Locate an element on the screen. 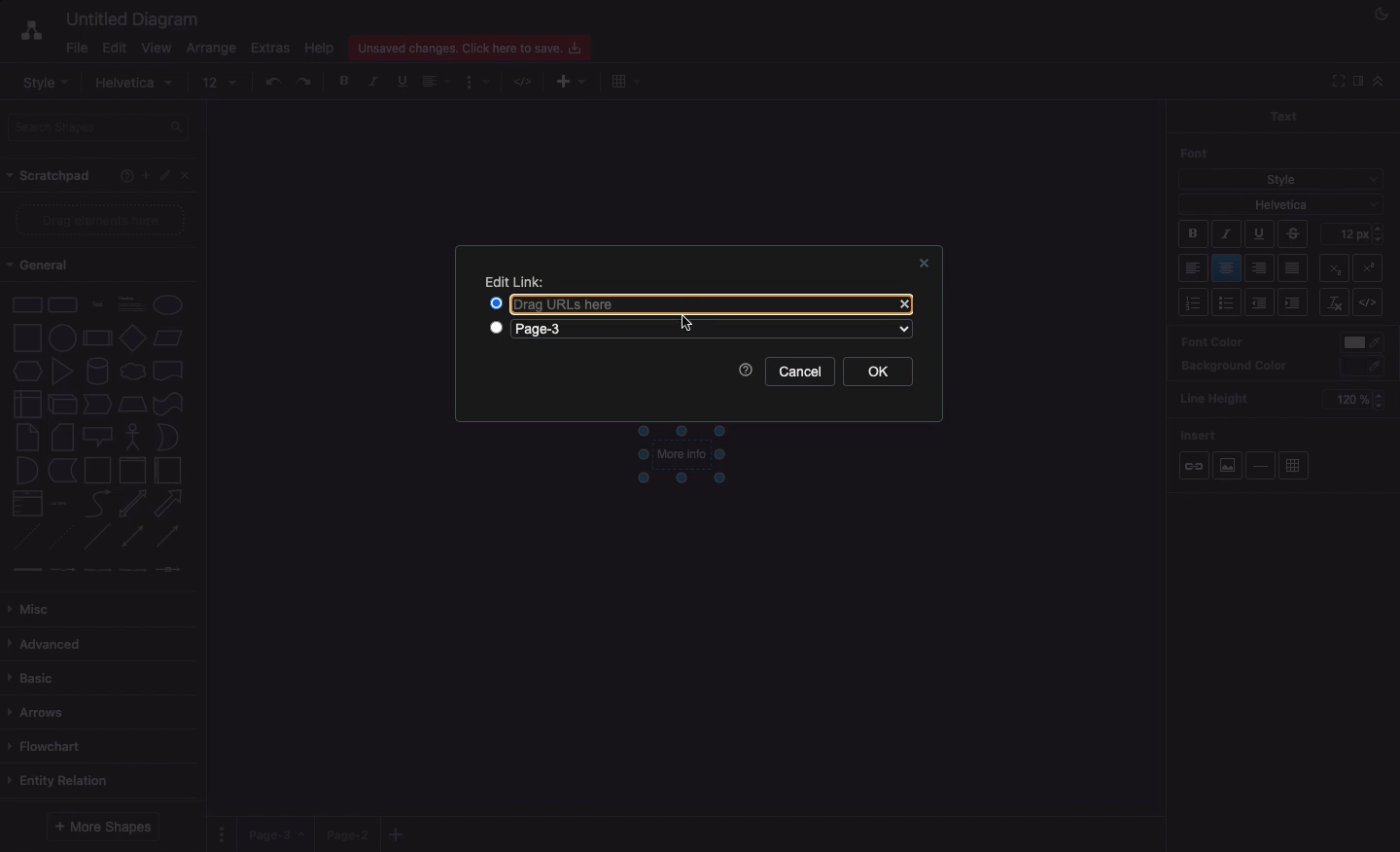  bidirectional connector  is located at coordinates (131, 536).